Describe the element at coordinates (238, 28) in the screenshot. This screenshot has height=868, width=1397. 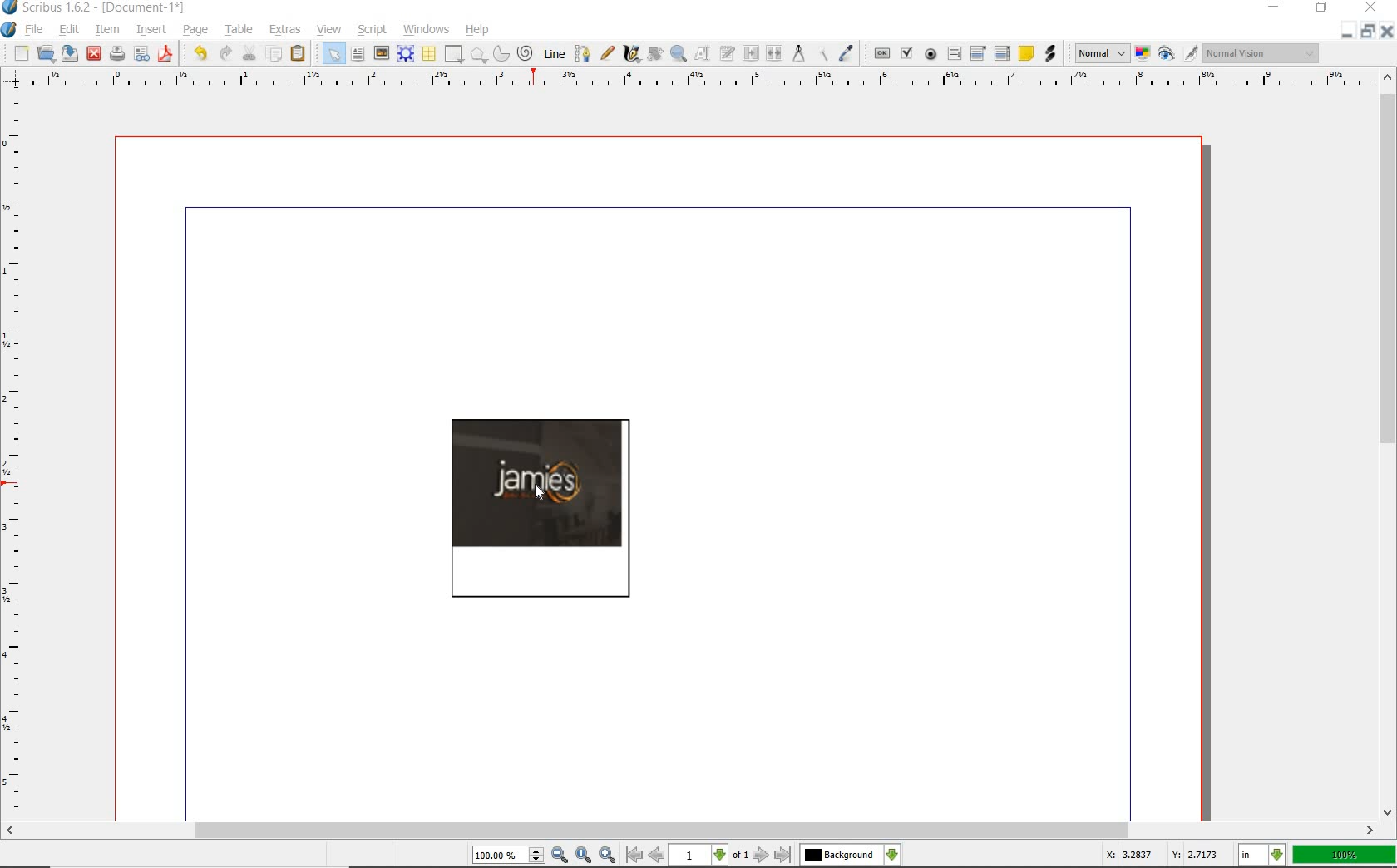
I see `table` at that location.